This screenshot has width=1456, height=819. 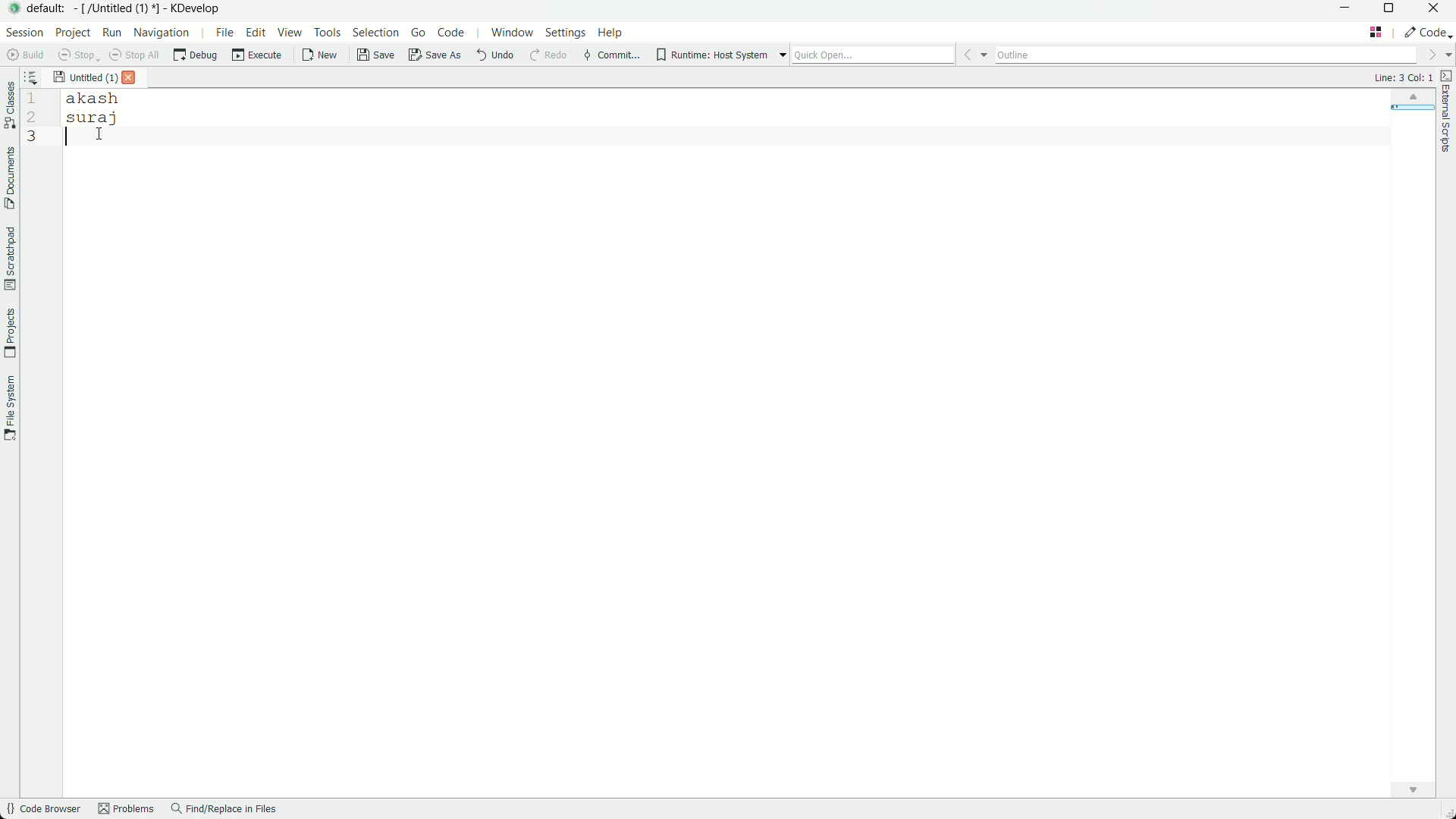 What do you see at coordinates (9, 107) in the screenshot?
I see `classes` at bounding box center [9, 107].